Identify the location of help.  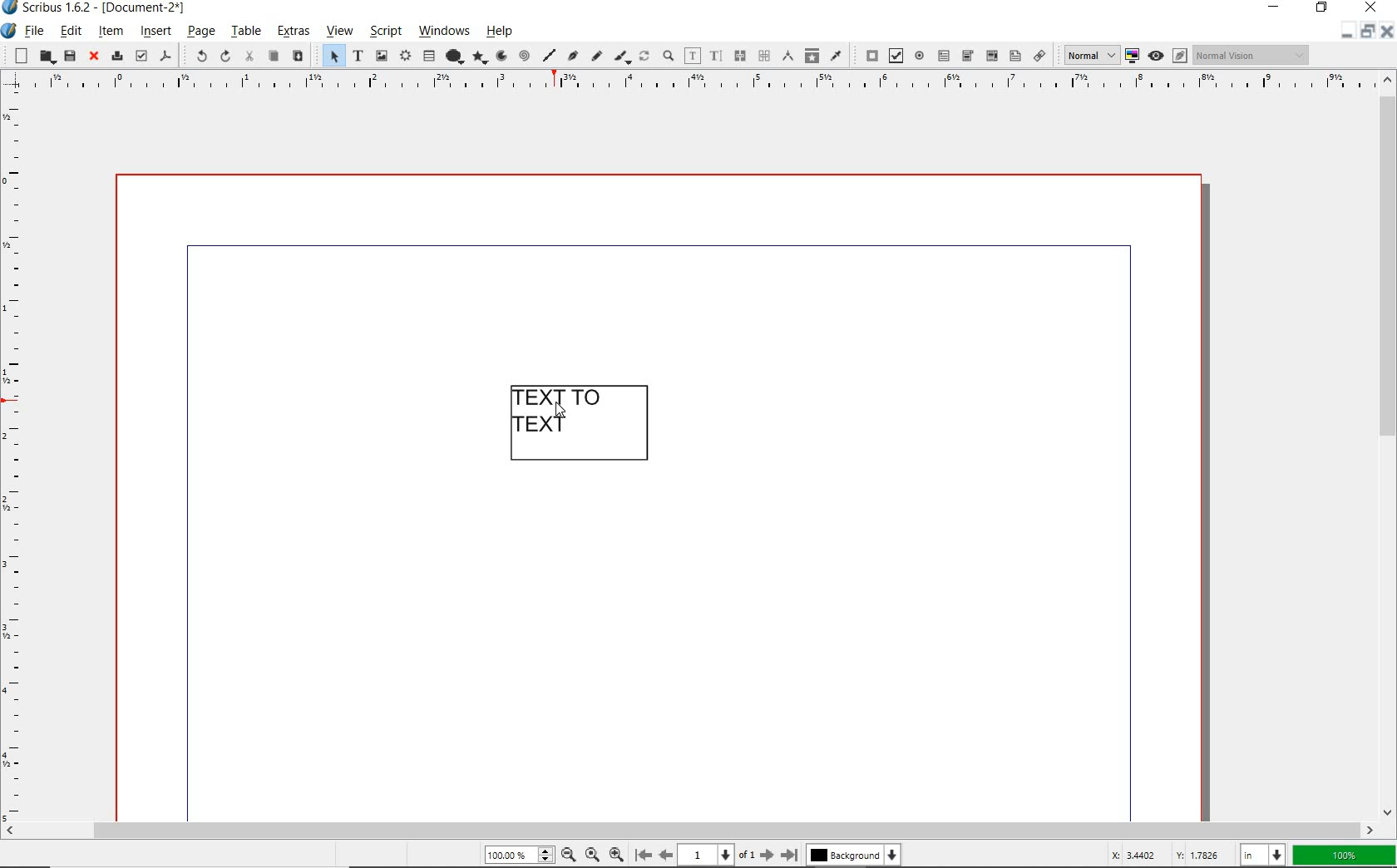
(499, 33).